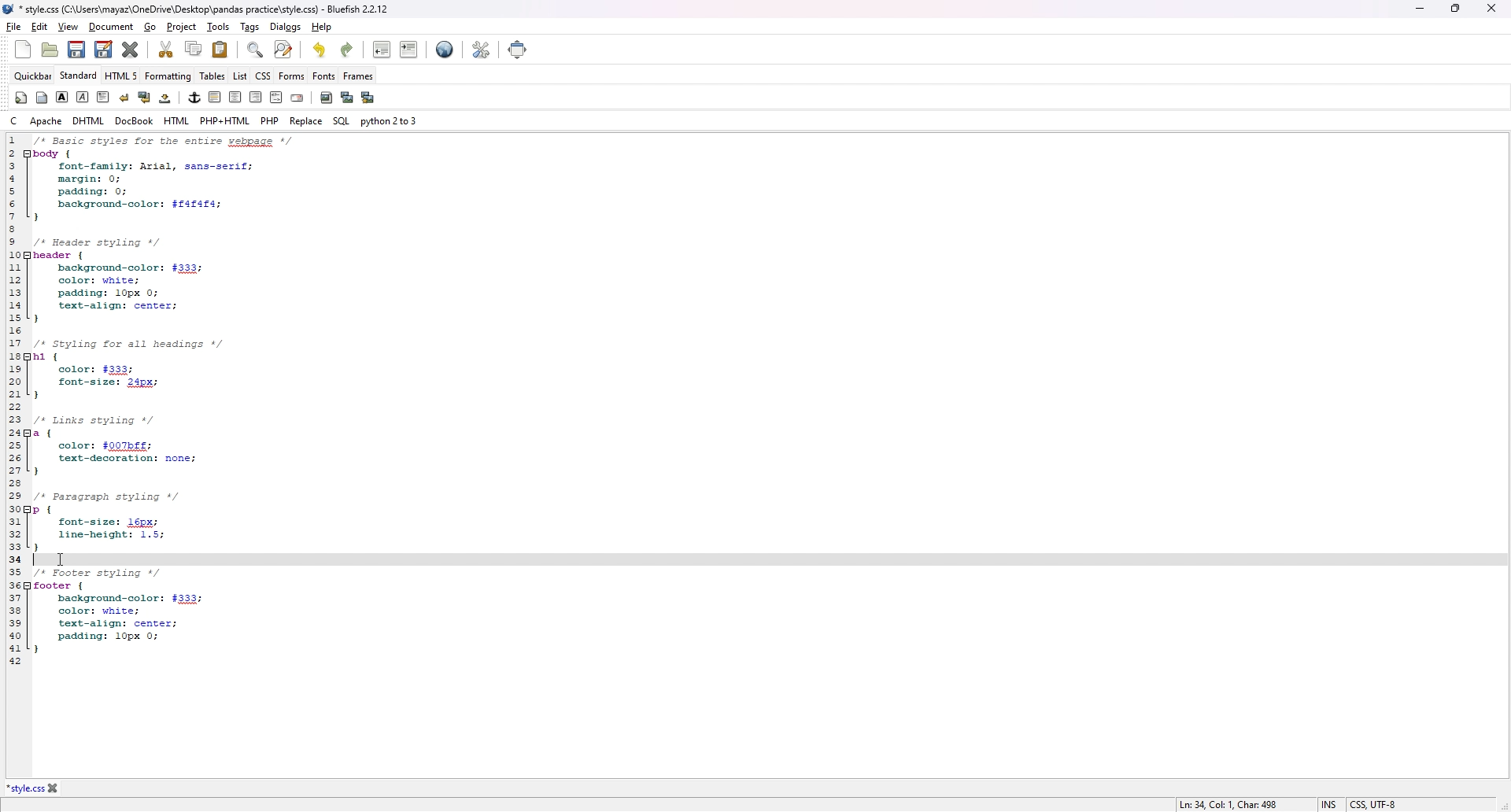 This screenshot has width=1511, height=812. I want to click on break and clear, so click(144, 98).